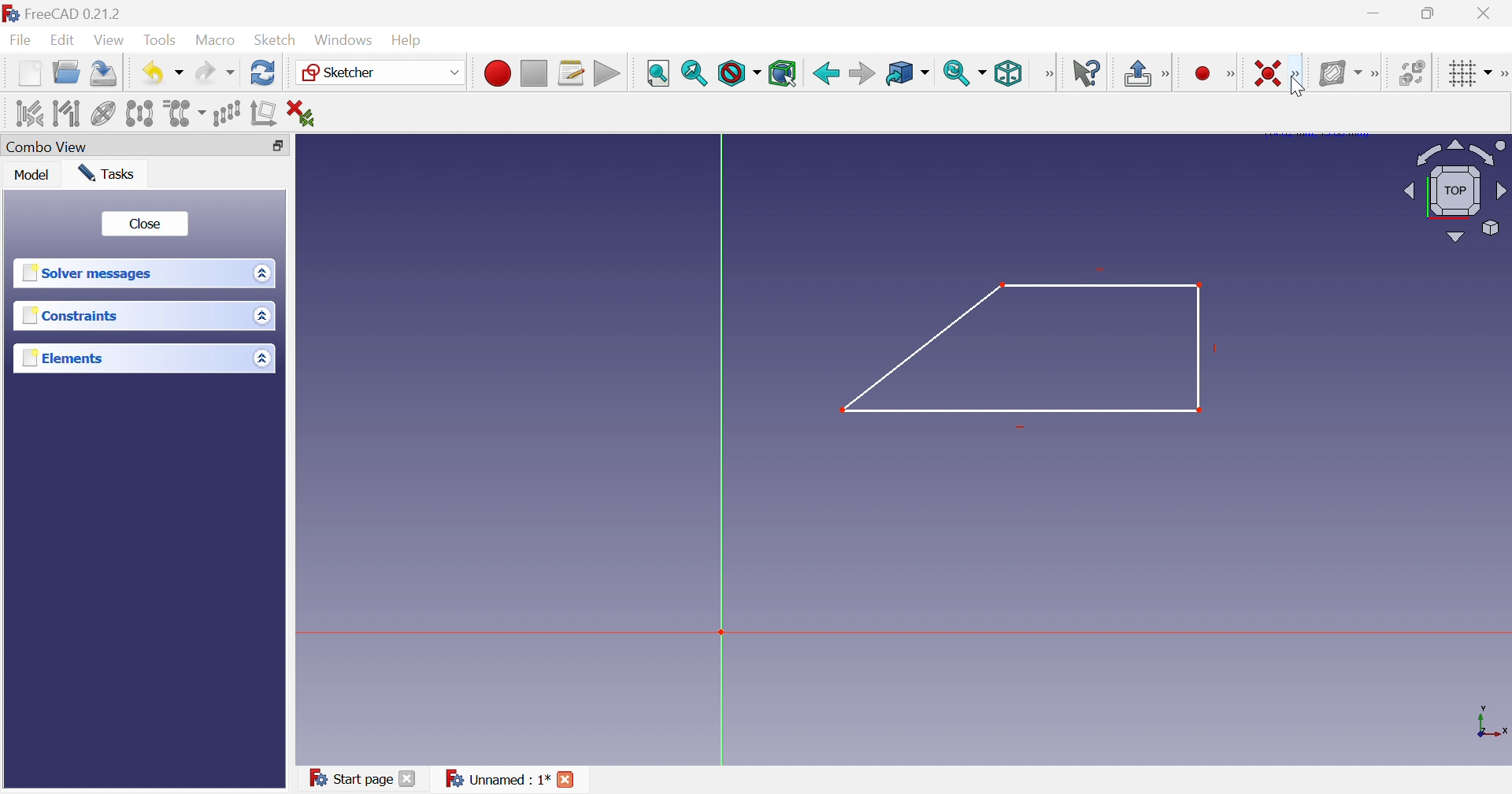  I want to click on Stop macro recording, so click(533, 72).